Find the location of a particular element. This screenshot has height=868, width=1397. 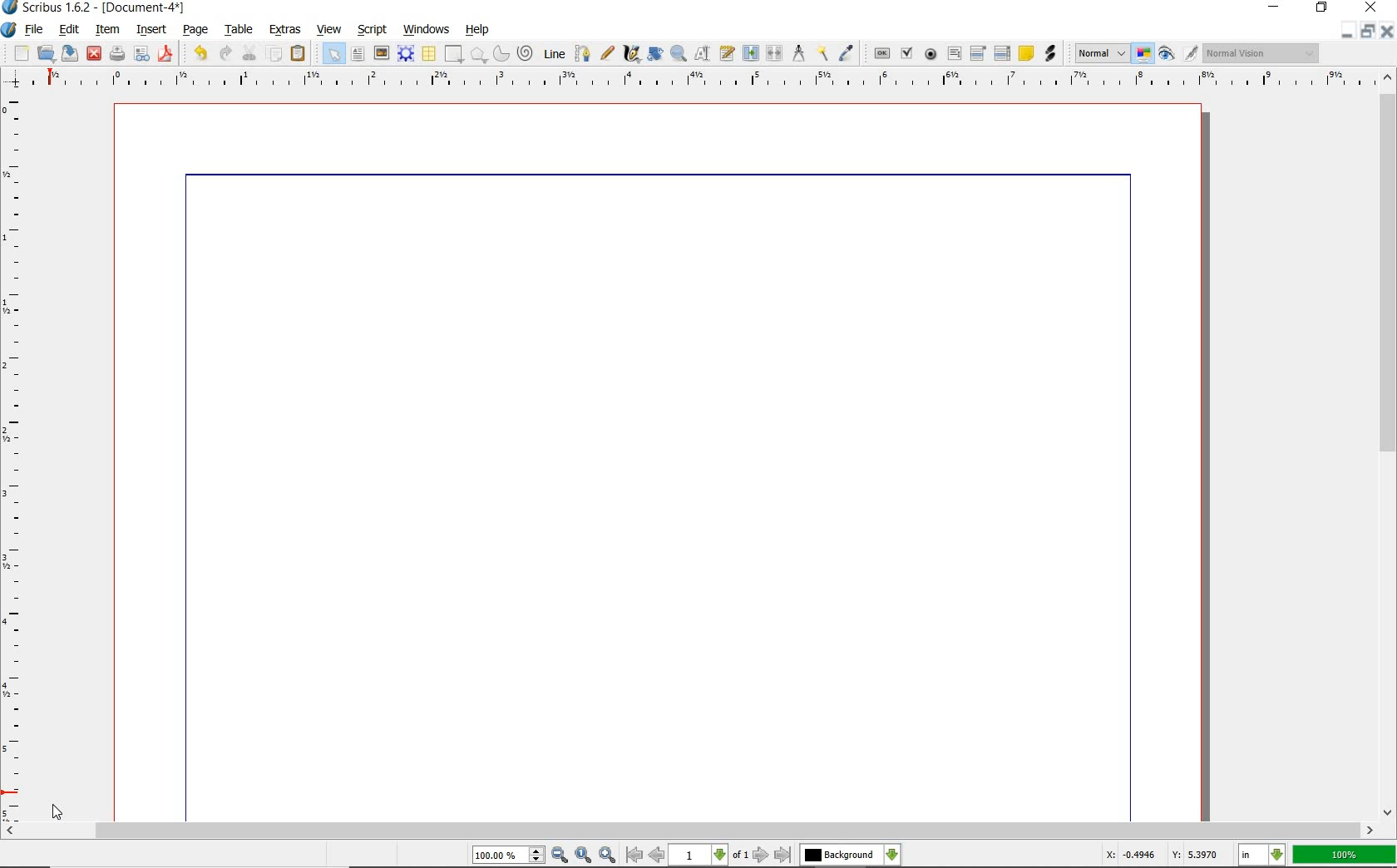

Scribus 1.6.2 - [Document-4*] is located at coordinates (95, 8).